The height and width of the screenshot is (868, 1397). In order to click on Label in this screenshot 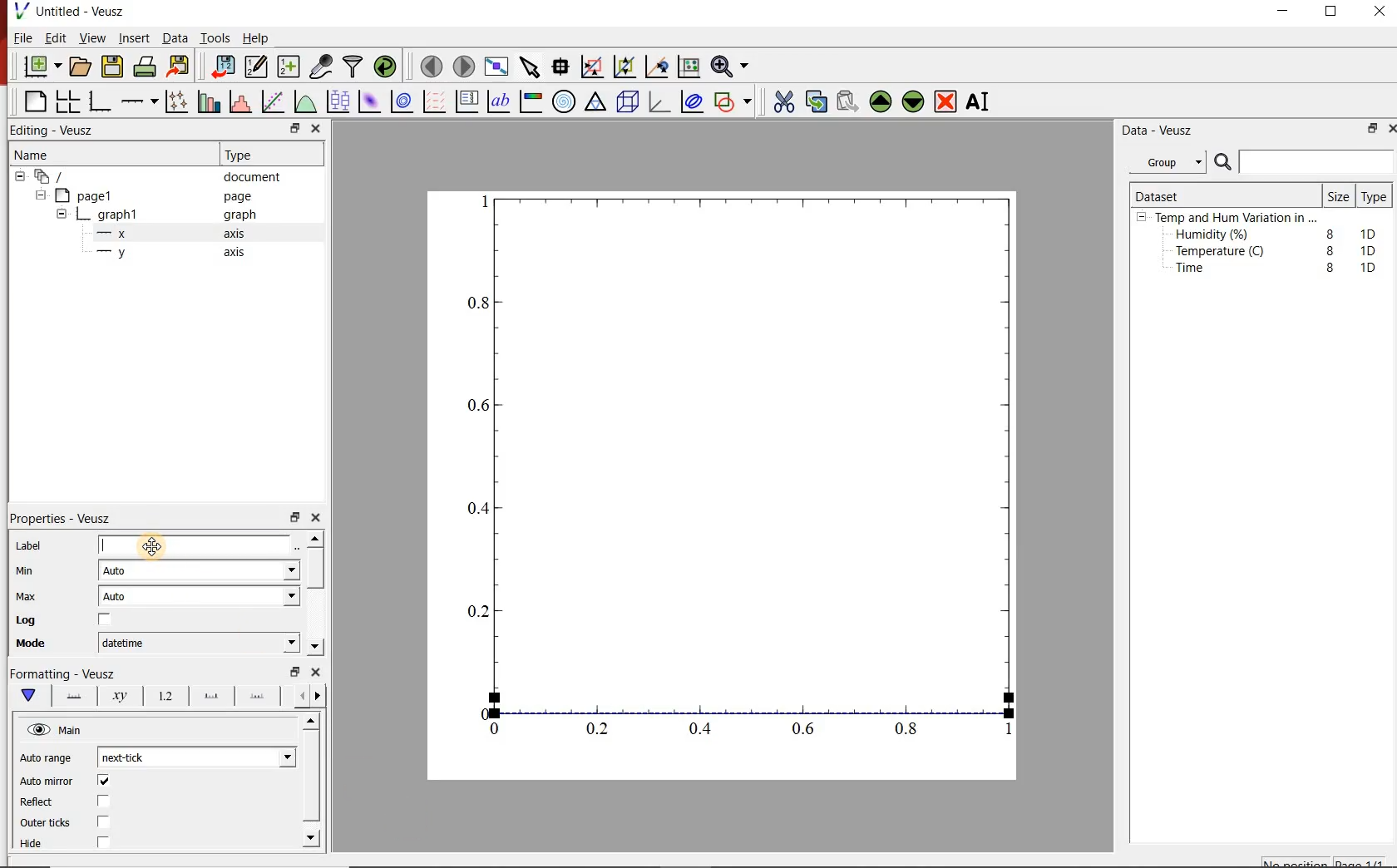, I will do `click(148, 544)`.